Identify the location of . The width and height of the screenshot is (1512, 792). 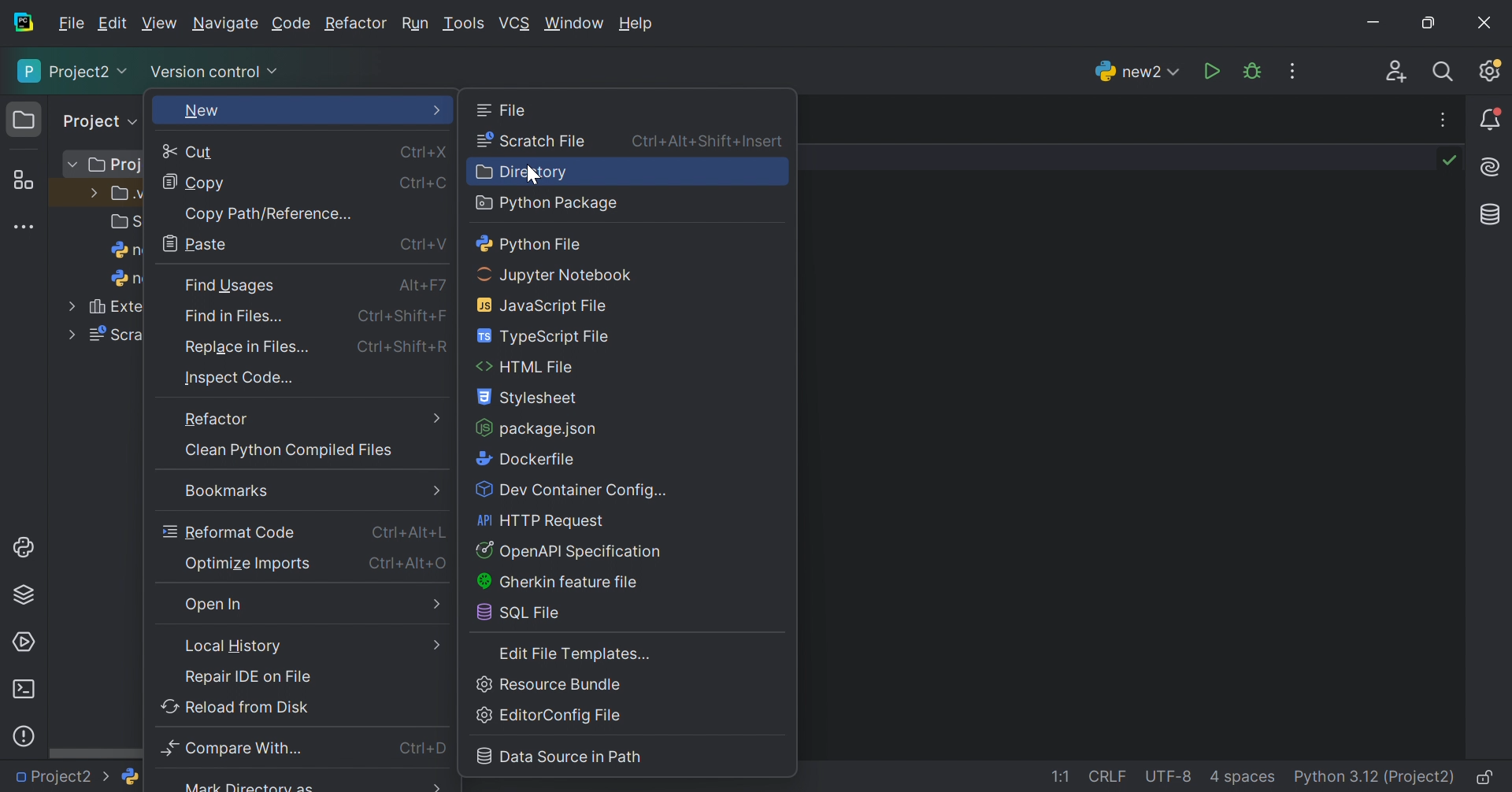
(572, 489).